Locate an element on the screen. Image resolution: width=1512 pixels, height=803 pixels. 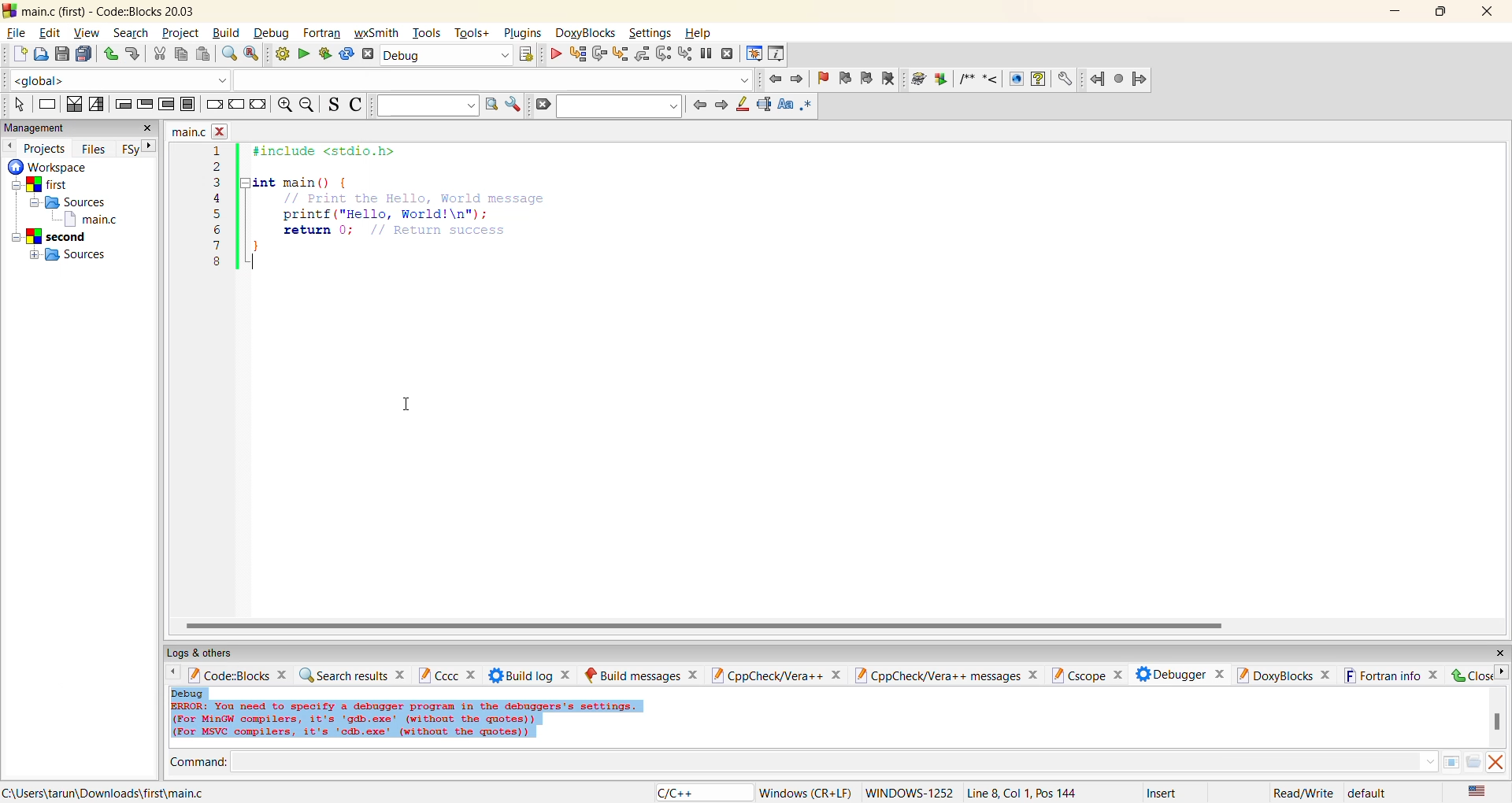
code:blocks is located at coordinates (239, 674).